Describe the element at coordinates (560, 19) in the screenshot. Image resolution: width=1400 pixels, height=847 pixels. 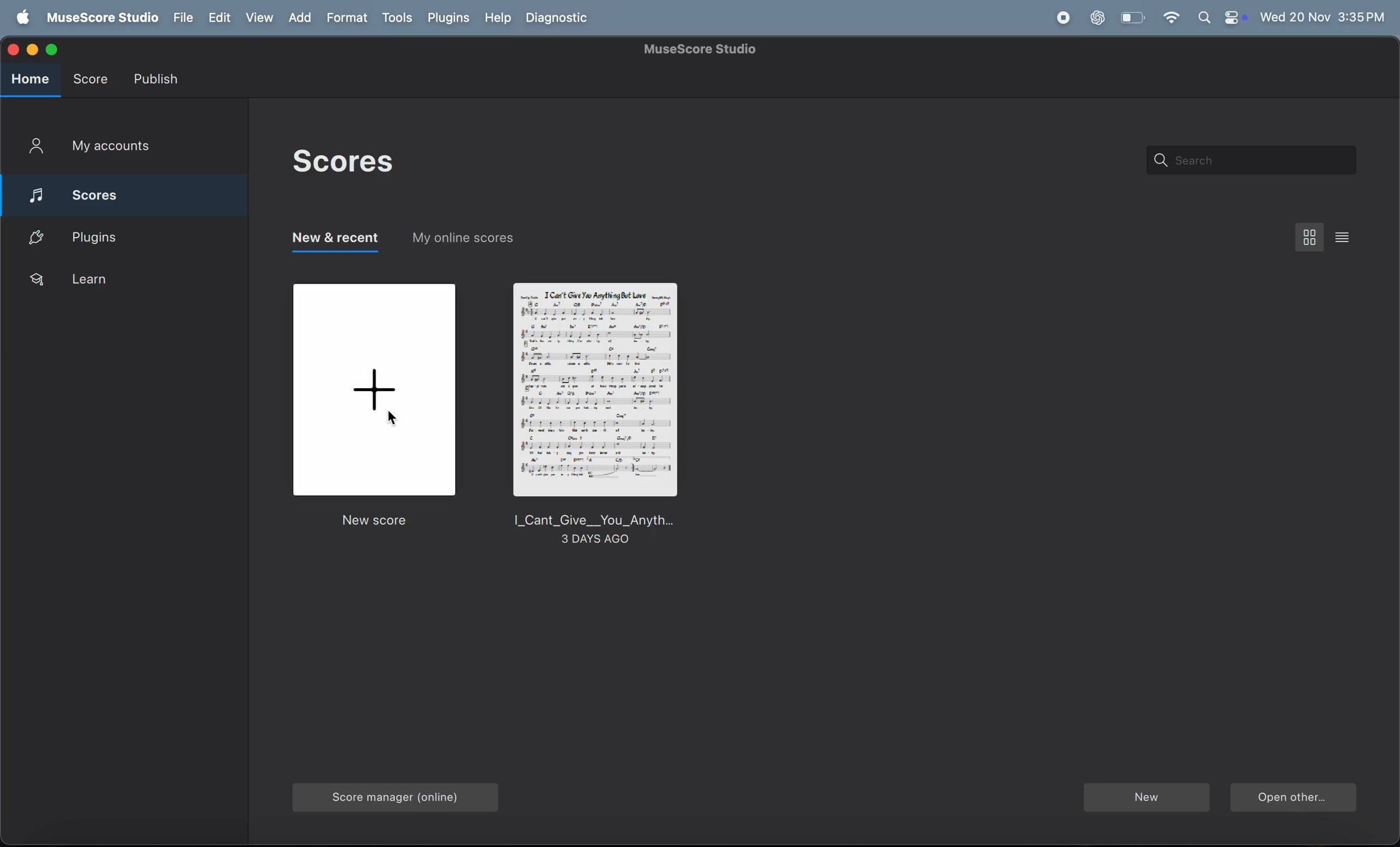
I see `diagnostics` at that location.